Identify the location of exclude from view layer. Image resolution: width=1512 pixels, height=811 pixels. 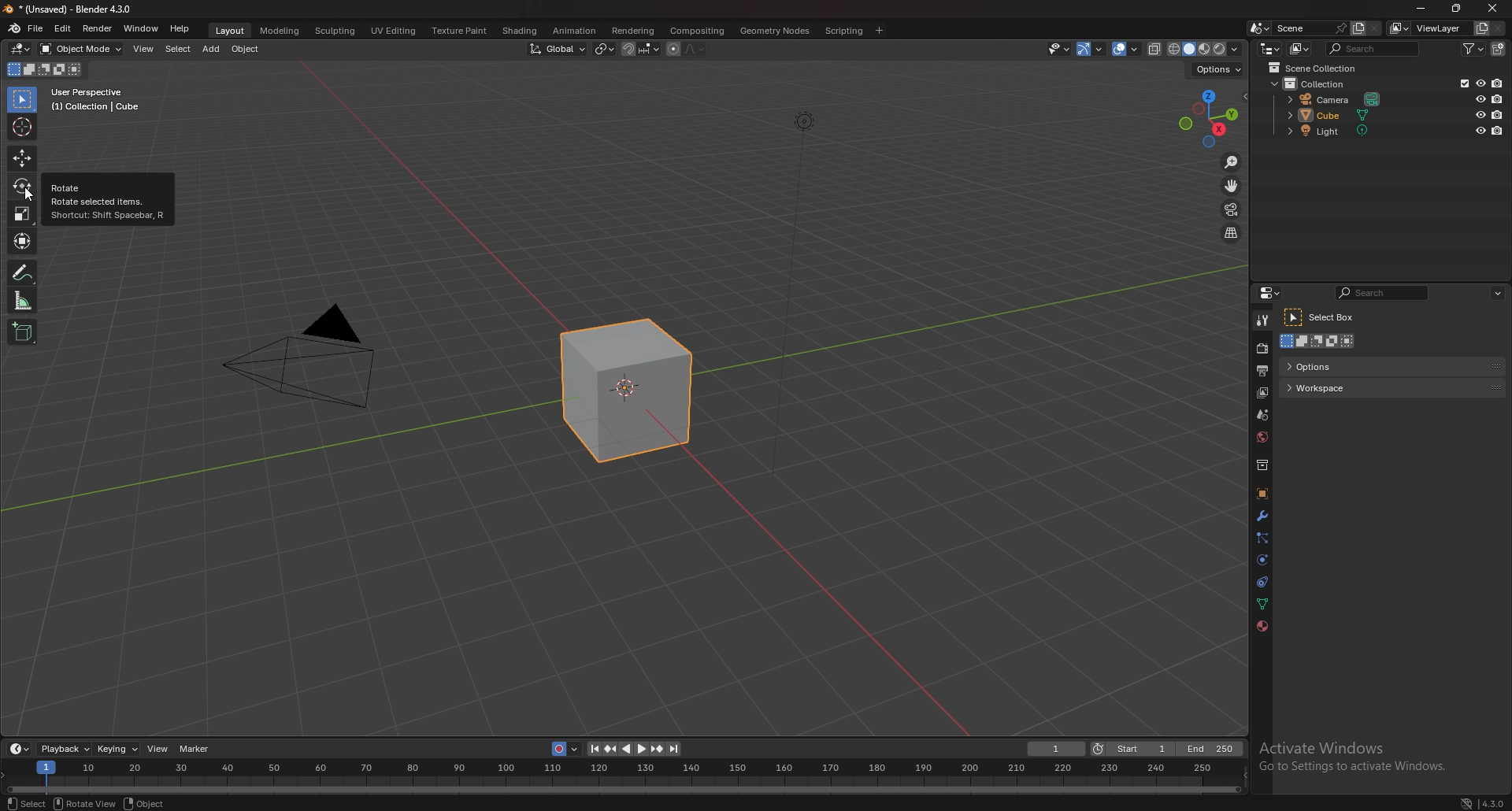
(1462, 83).